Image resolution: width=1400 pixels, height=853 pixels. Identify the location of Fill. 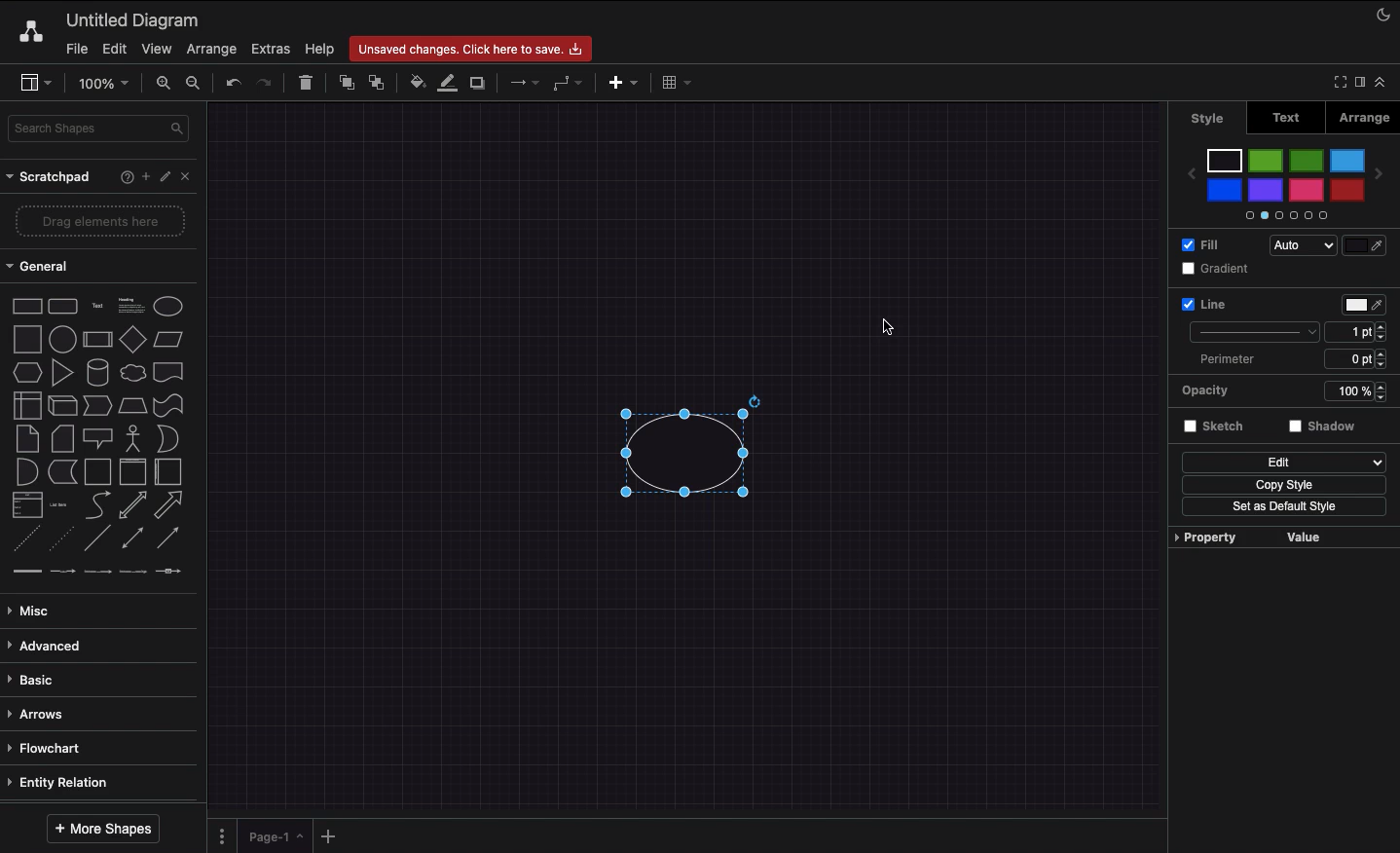
(1199, 242).